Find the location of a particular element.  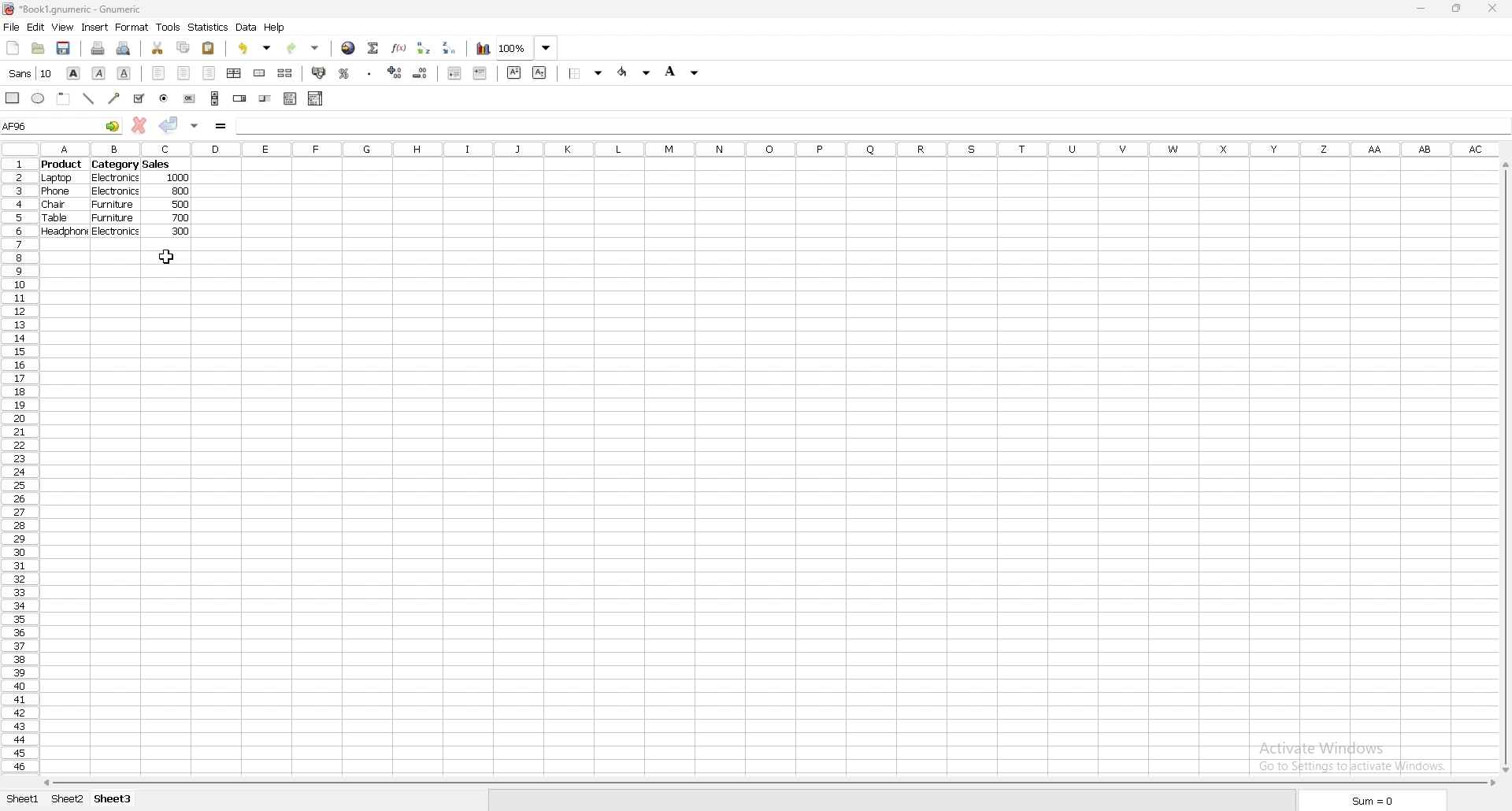

superscript is located at coordinates (514, 71).